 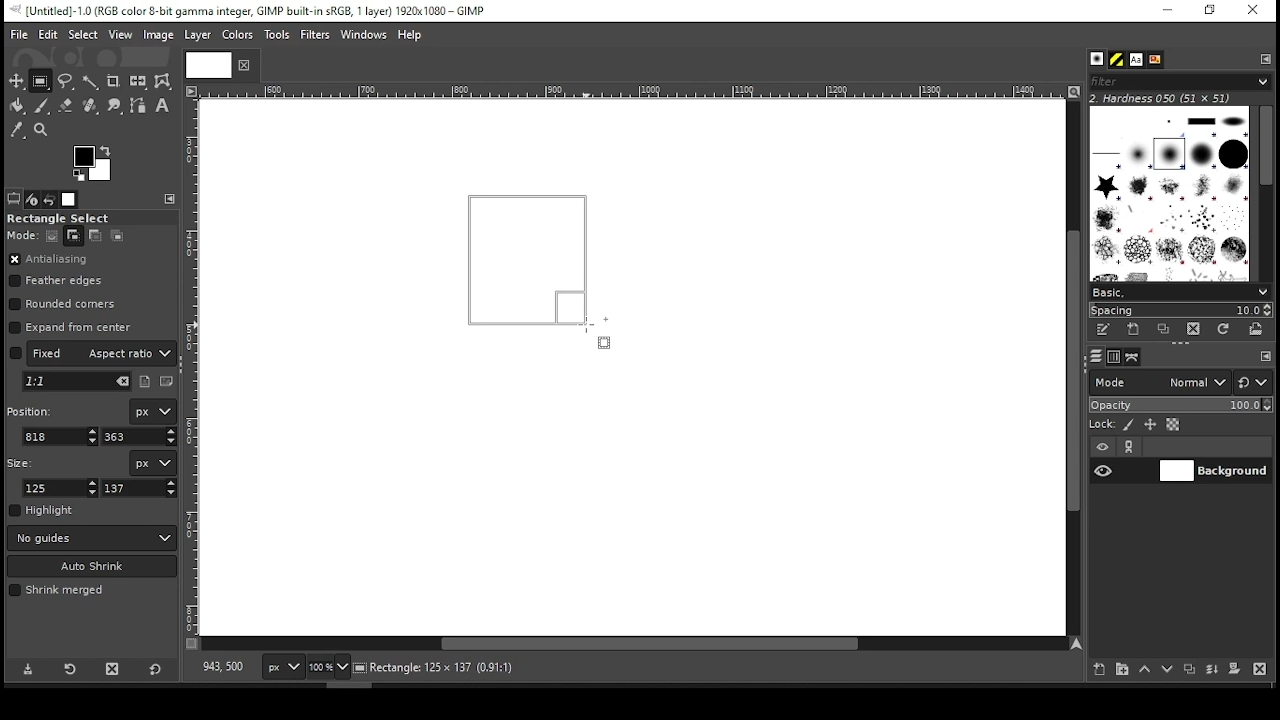 What do you see at coordinates (14, 198) in the screenshot?
I see `tool options` at bounding box center [14, 198].